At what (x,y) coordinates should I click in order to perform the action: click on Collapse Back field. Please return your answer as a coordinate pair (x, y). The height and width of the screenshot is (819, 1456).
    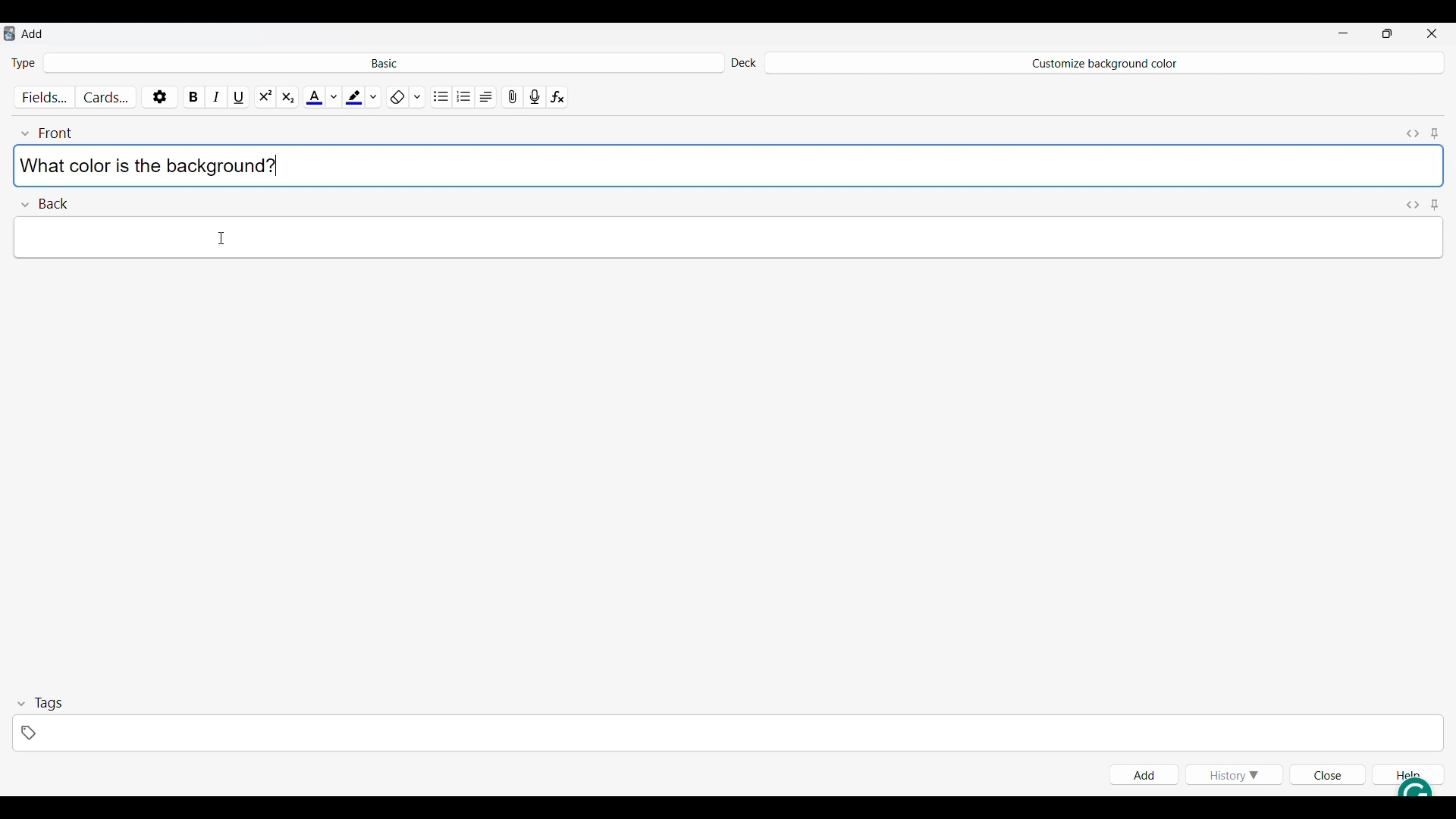
    Looking at the image, I should click on (45, 202).